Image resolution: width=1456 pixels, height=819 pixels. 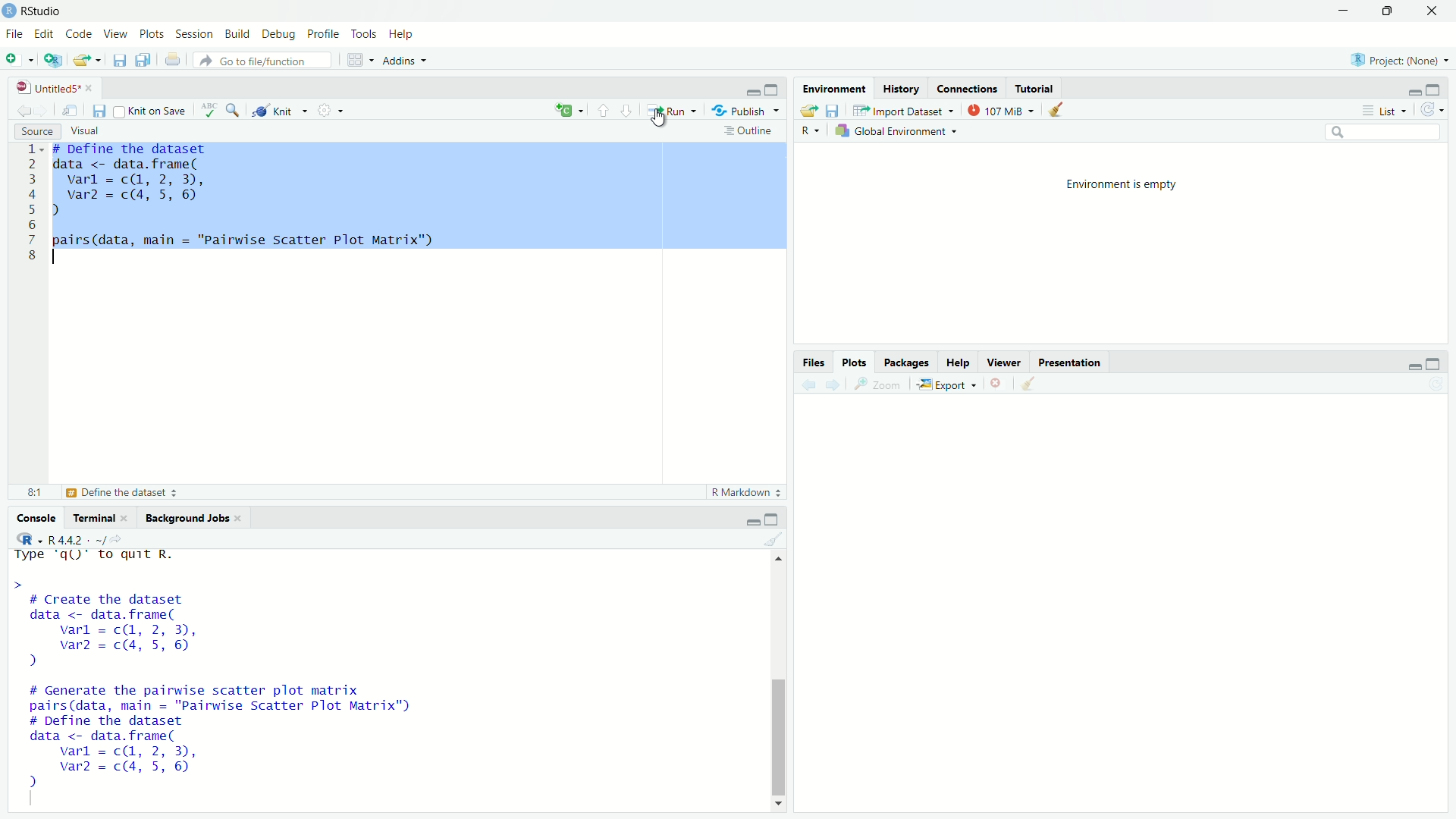 What do you see at coordinates (994, 384) in the screenshot?
I see `Close` at bounding box center [994, 384].